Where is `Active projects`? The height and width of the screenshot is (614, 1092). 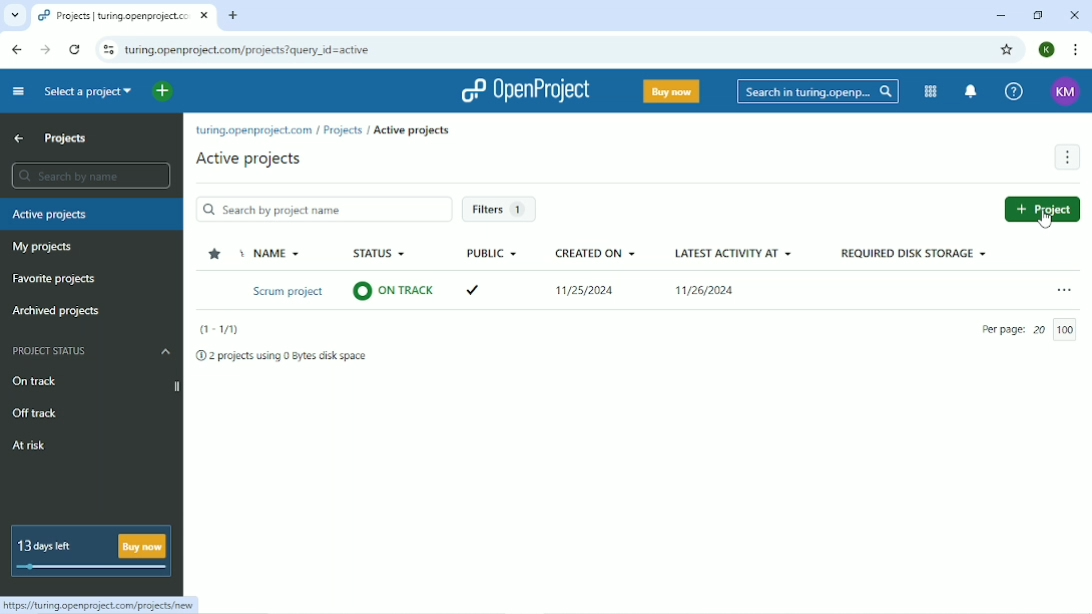 Active projects is located at coordinates (248, 160).